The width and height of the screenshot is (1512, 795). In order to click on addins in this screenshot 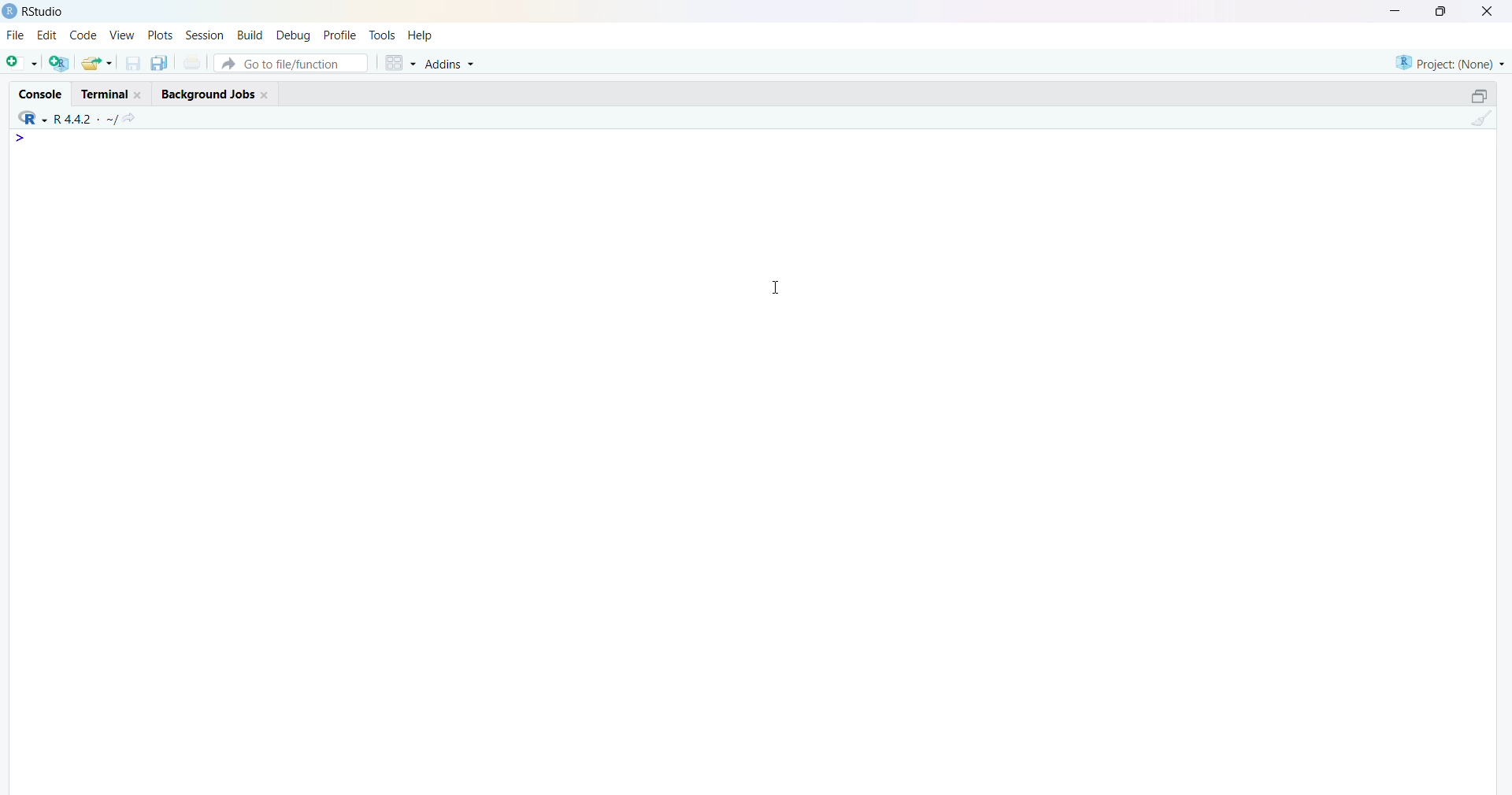, I will do `click(451, 65)`.